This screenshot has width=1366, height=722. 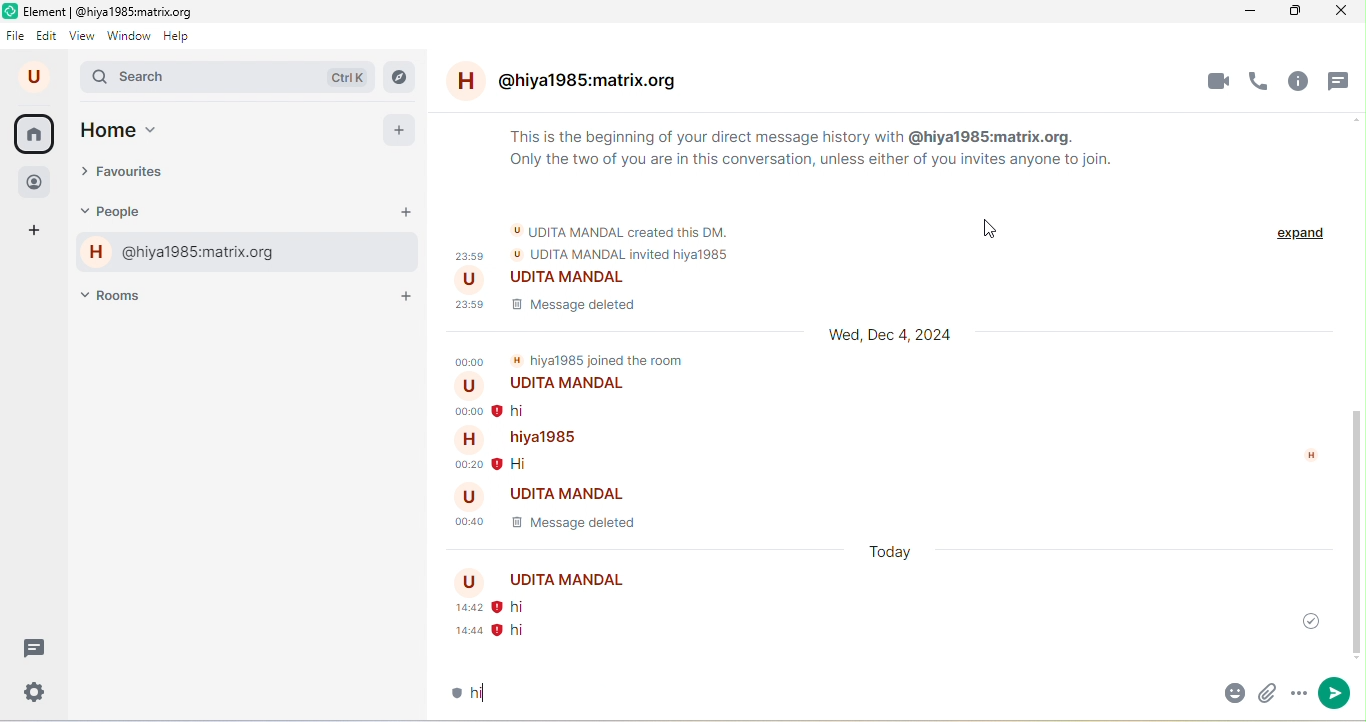 What do you see at coordinates (1297, 698) in the screenshot?
I see `more option` at bounding box center [1297, 698].